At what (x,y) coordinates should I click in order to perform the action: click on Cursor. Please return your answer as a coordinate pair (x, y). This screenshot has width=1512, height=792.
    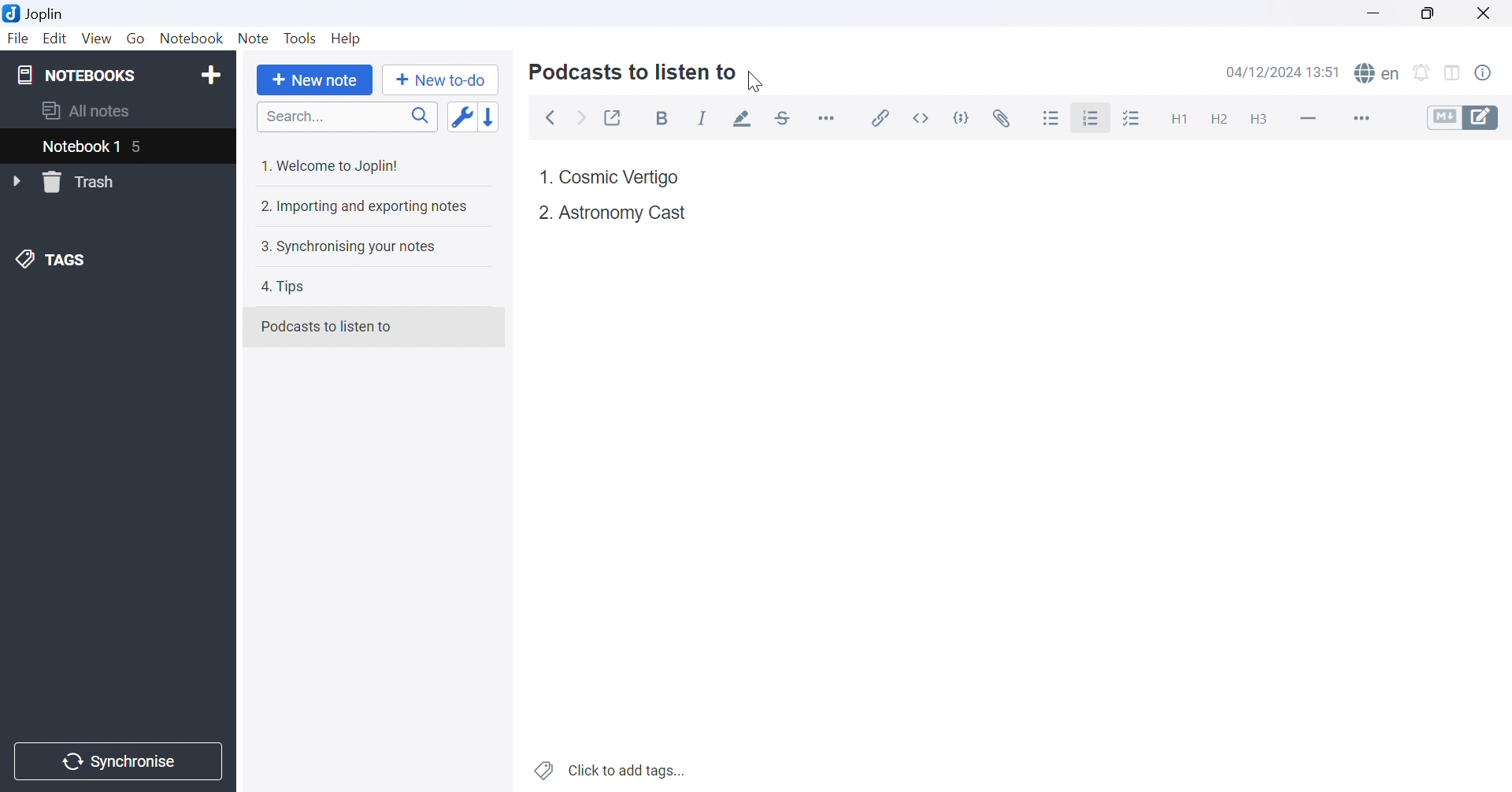
    Looking at the image, I should click on (755, 80).